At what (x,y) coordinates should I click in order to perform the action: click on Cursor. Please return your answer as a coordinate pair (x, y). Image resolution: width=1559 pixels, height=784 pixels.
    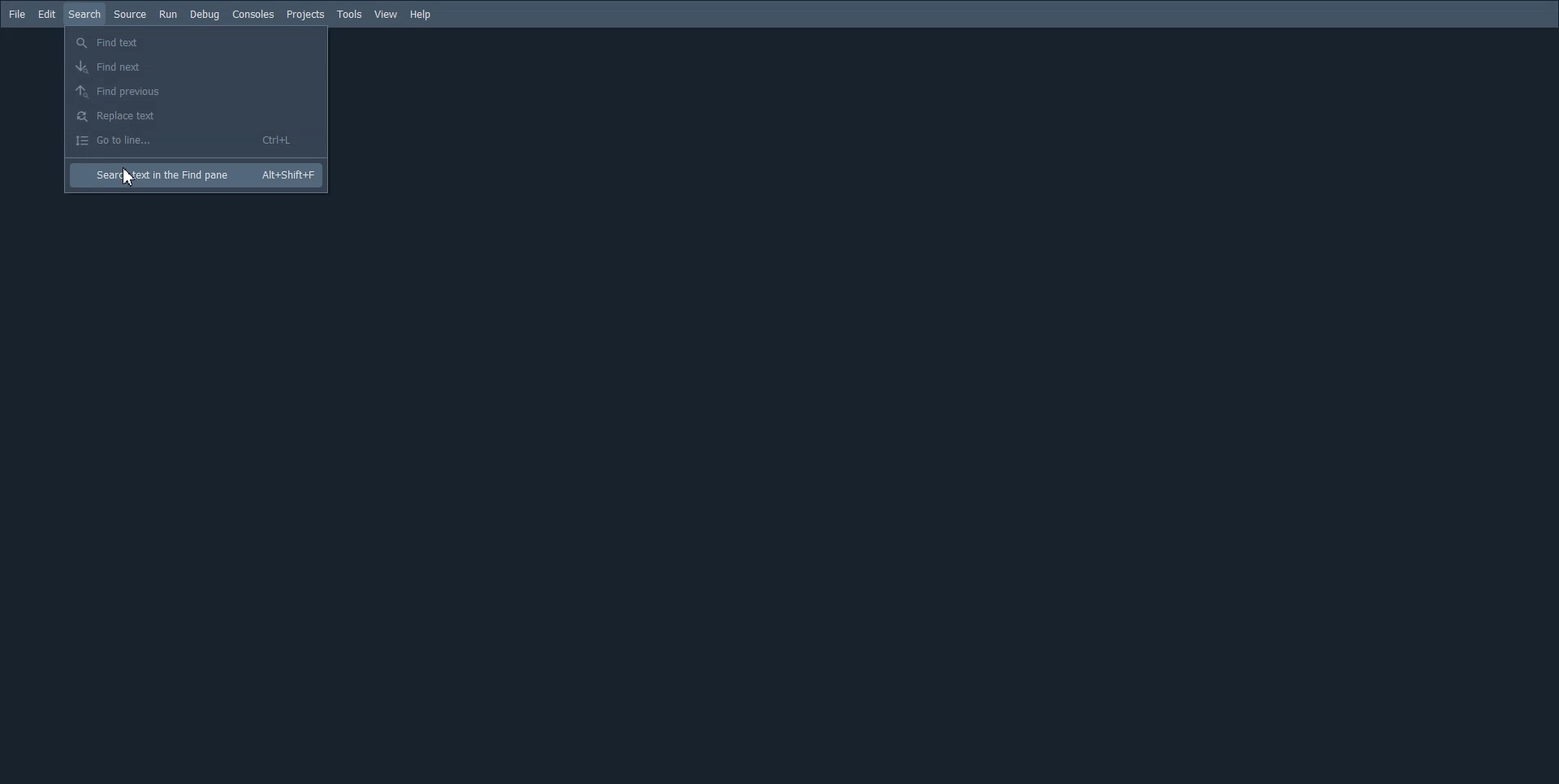
    Looking at the image, I should click on (131, 177).